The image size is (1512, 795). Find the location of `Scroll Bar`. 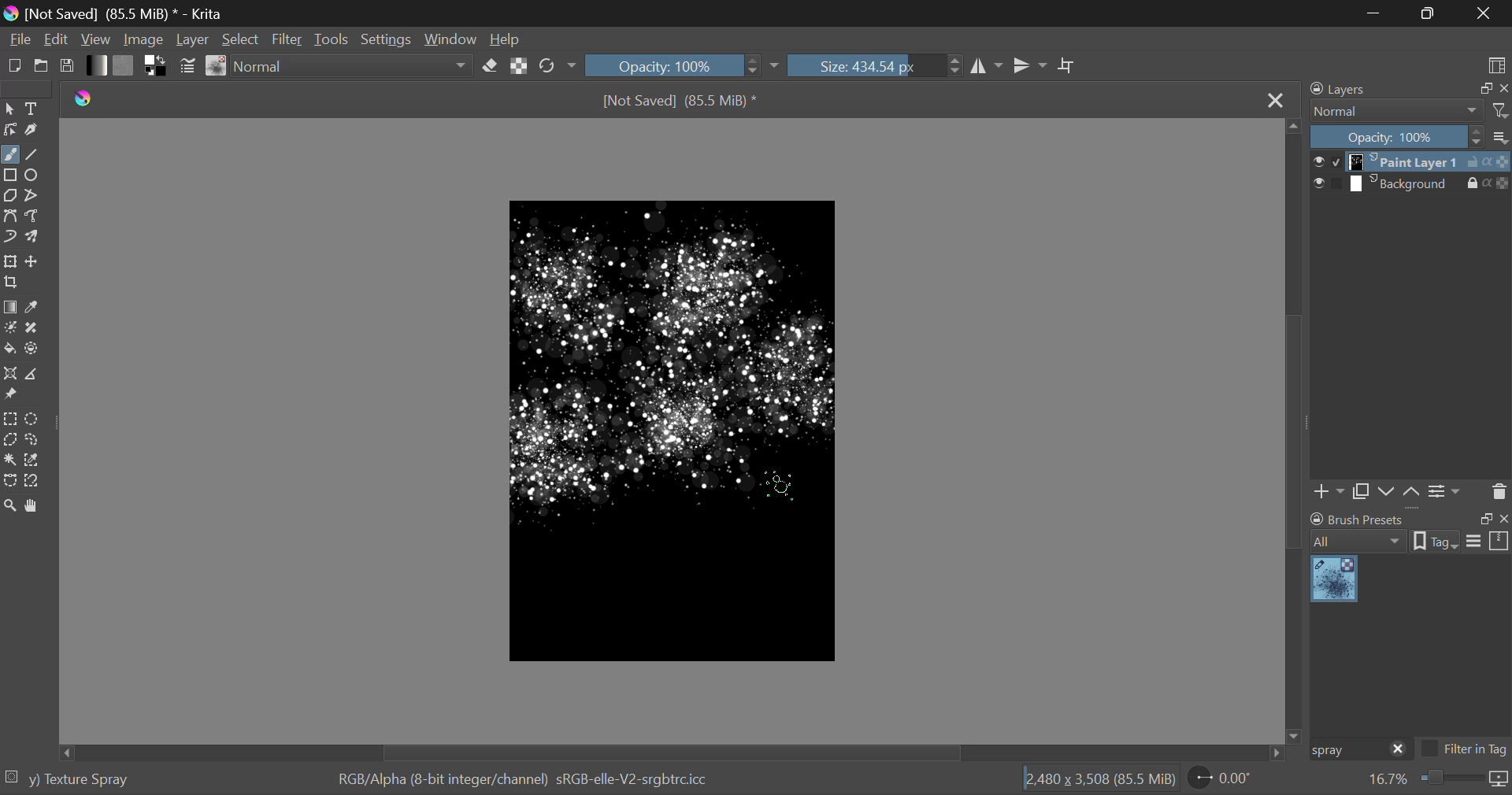

Scroll Bar is located at coordinates (676, 752).